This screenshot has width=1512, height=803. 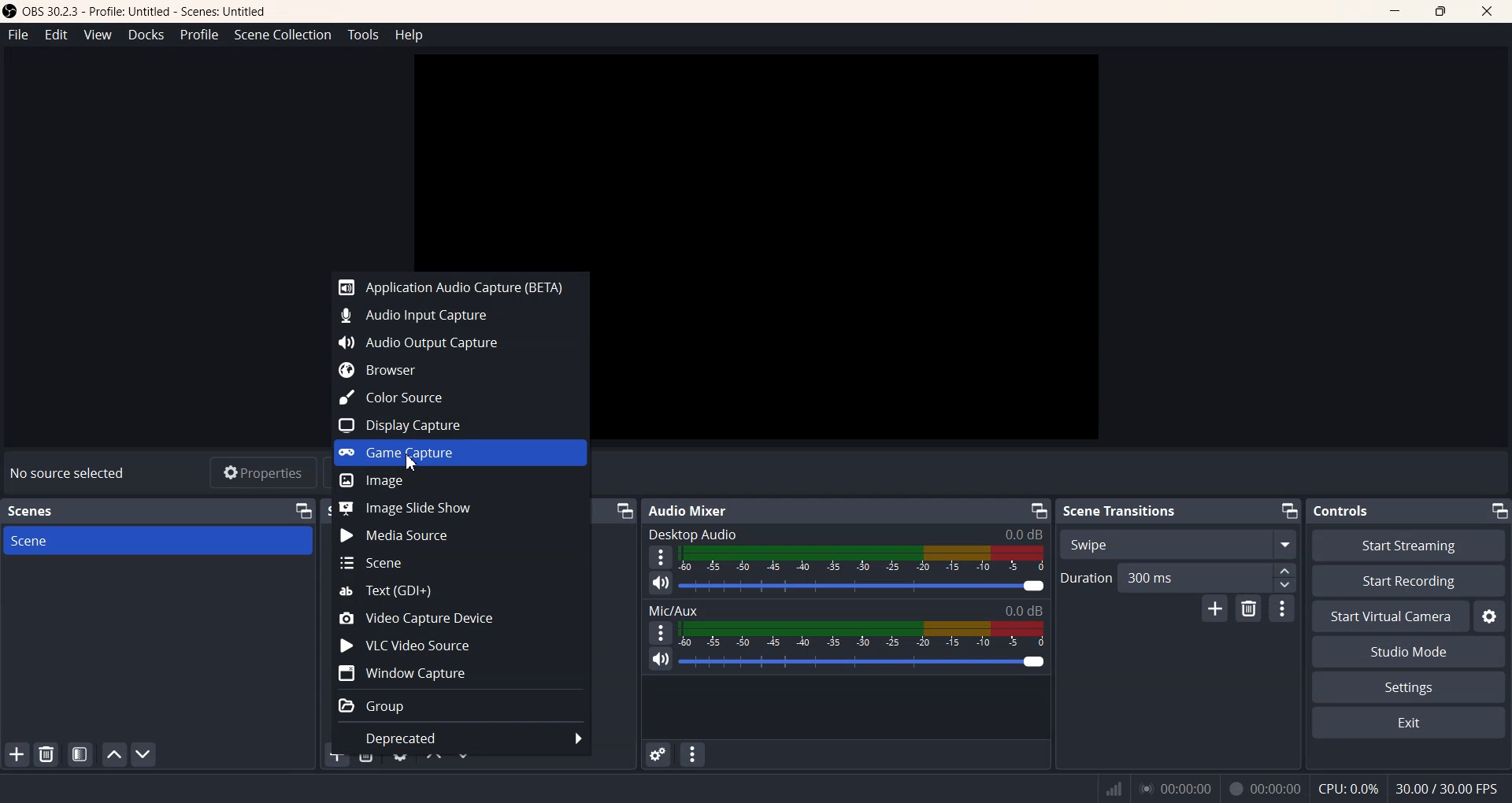 I want to click on Text, so click(x=1340, y=510).